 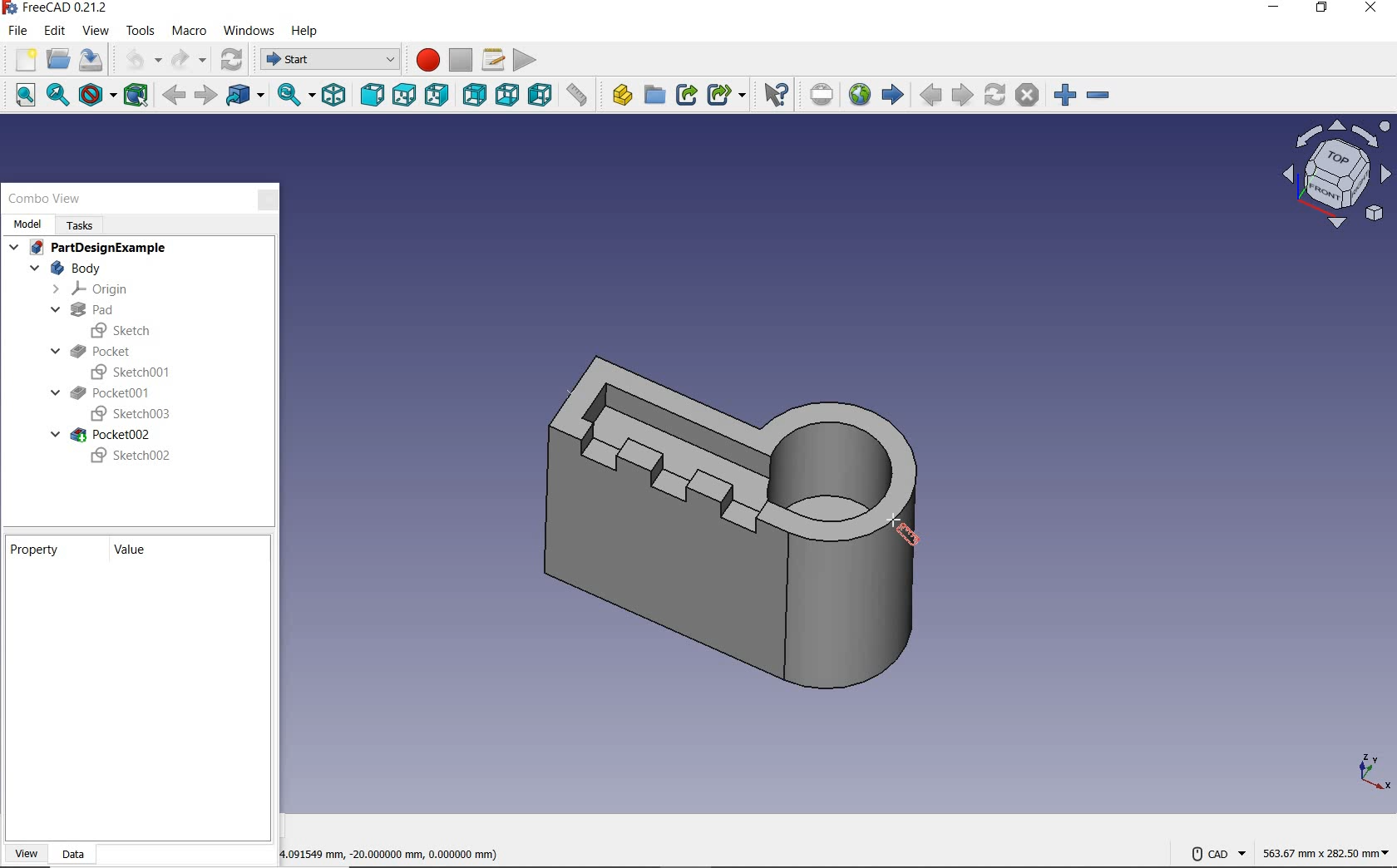 What do you see at coordinates (245, 96) in the screenshot?
I see `go to linked object` at bounding box center [245, 96].